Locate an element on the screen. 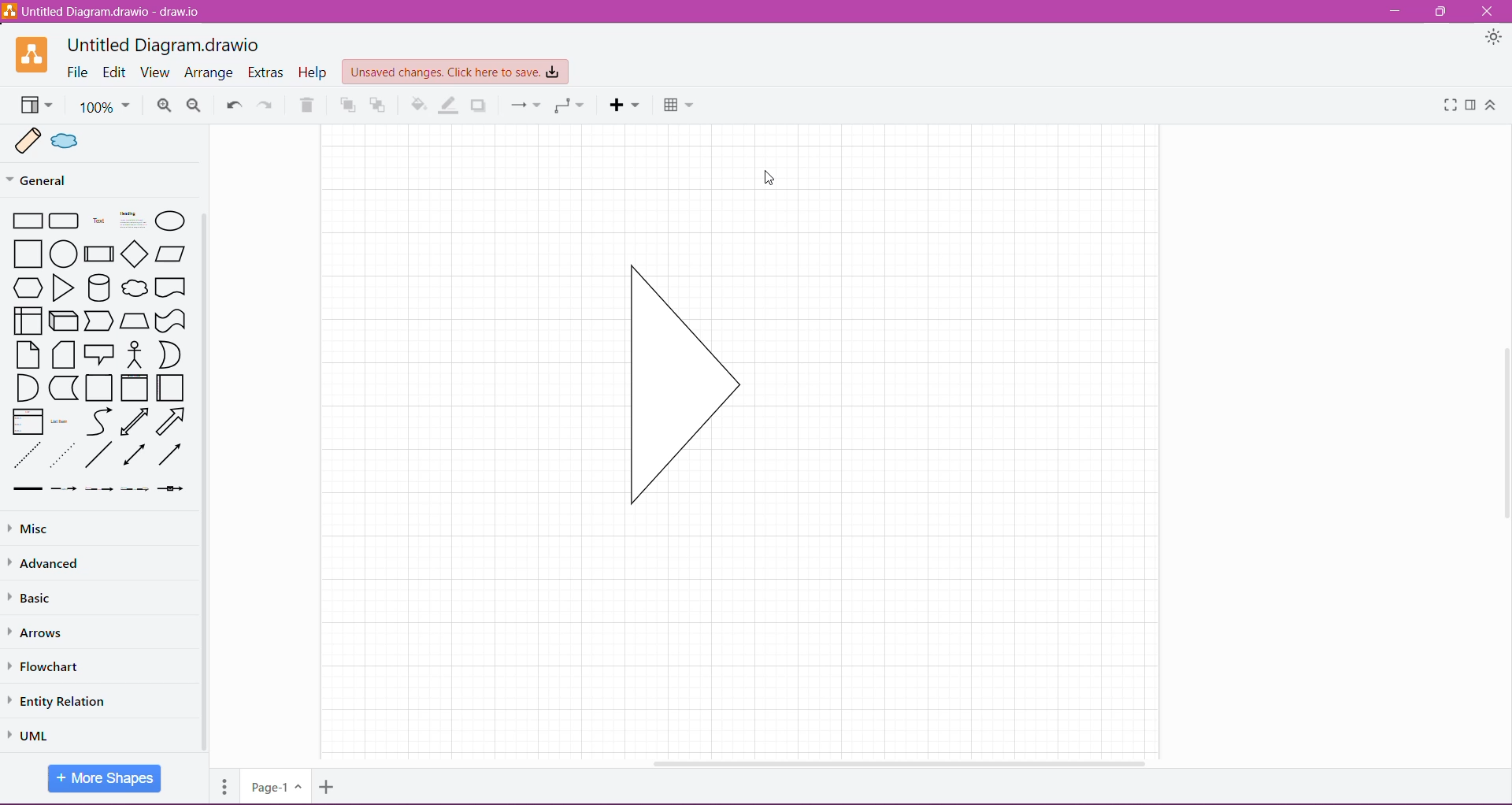  Waypoints is located at coordinates (569, 106).